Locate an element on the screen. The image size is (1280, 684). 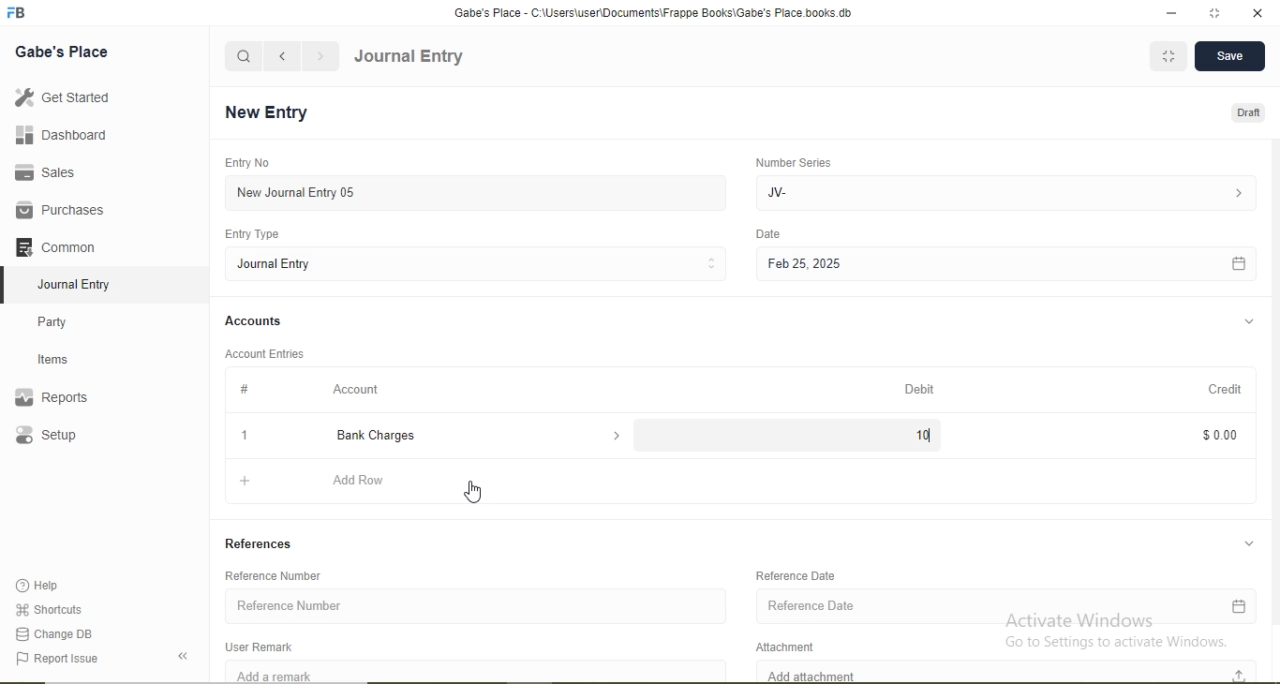
Gabe's Place is located at coordinates (64, 51).